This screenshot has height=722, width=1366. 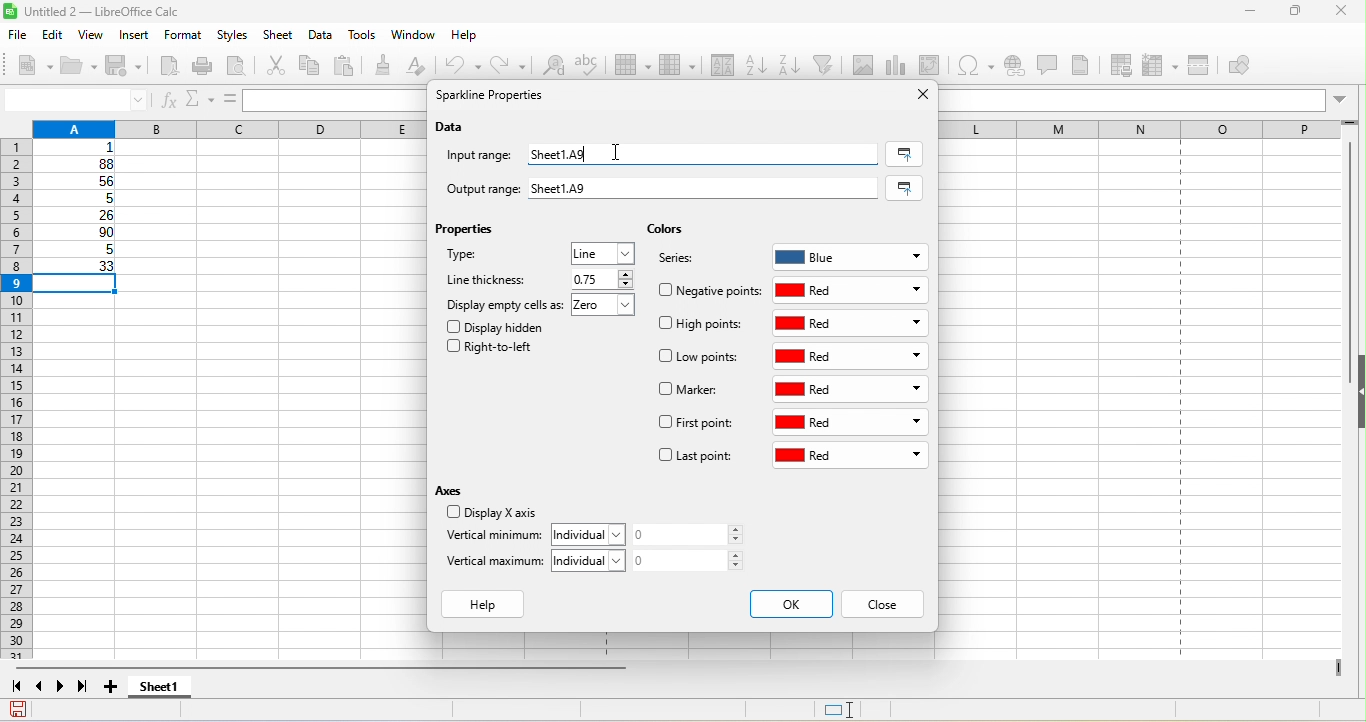 I want to click on red, so click(x=850, y=424).